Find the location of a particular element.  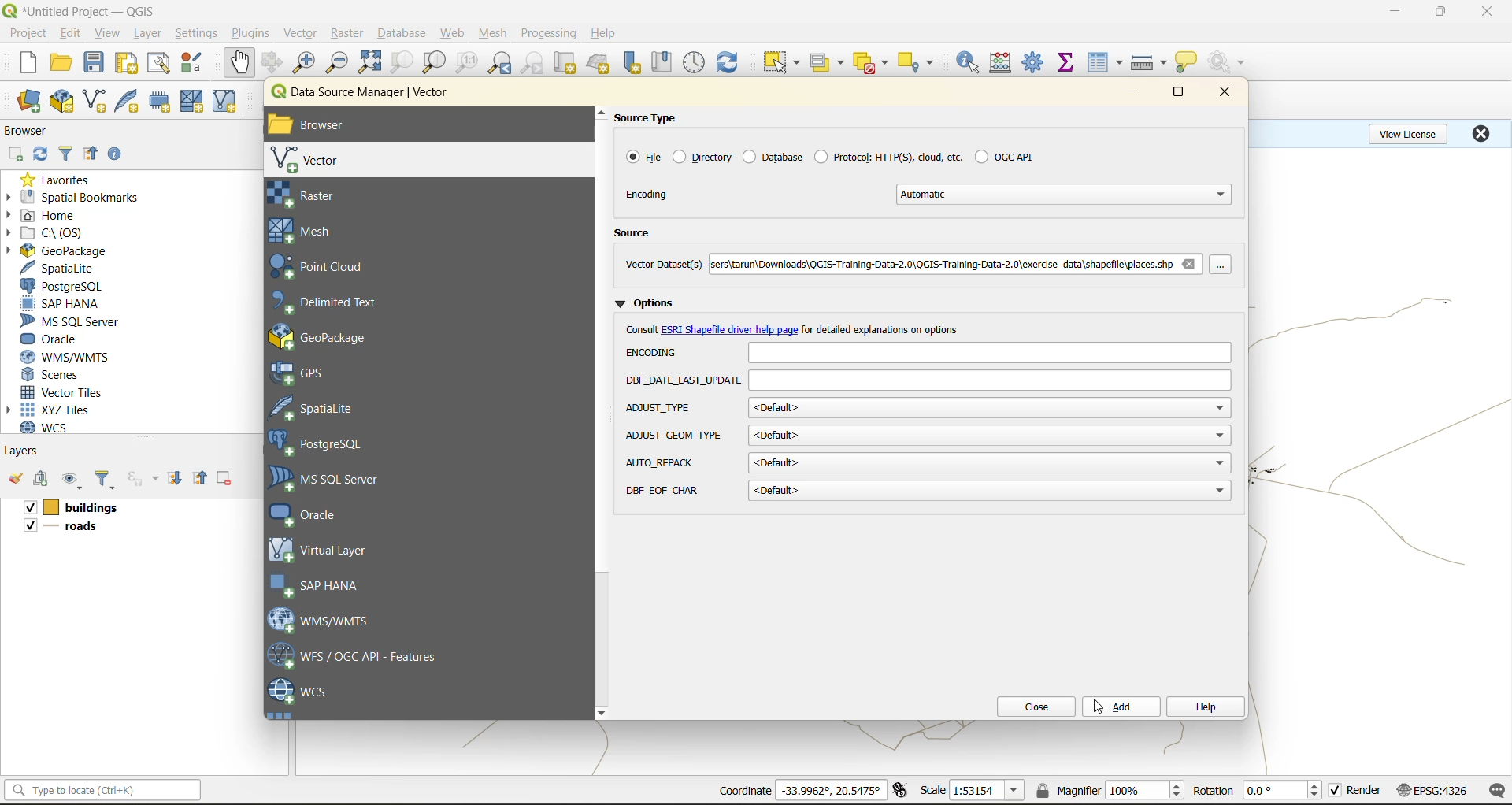

collapse all is located at coordinates (202, 478).